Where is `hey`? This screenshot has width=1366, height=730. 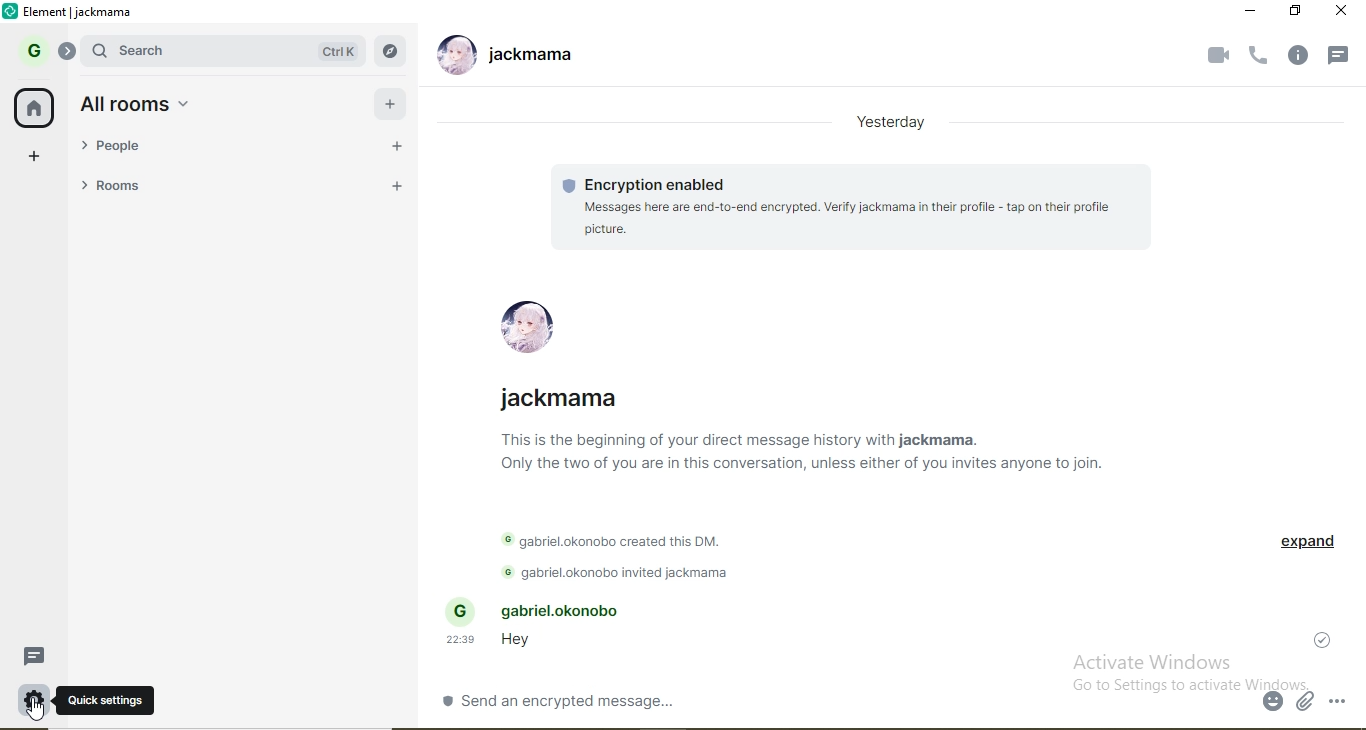 hey is located at coordinates (515, 643).